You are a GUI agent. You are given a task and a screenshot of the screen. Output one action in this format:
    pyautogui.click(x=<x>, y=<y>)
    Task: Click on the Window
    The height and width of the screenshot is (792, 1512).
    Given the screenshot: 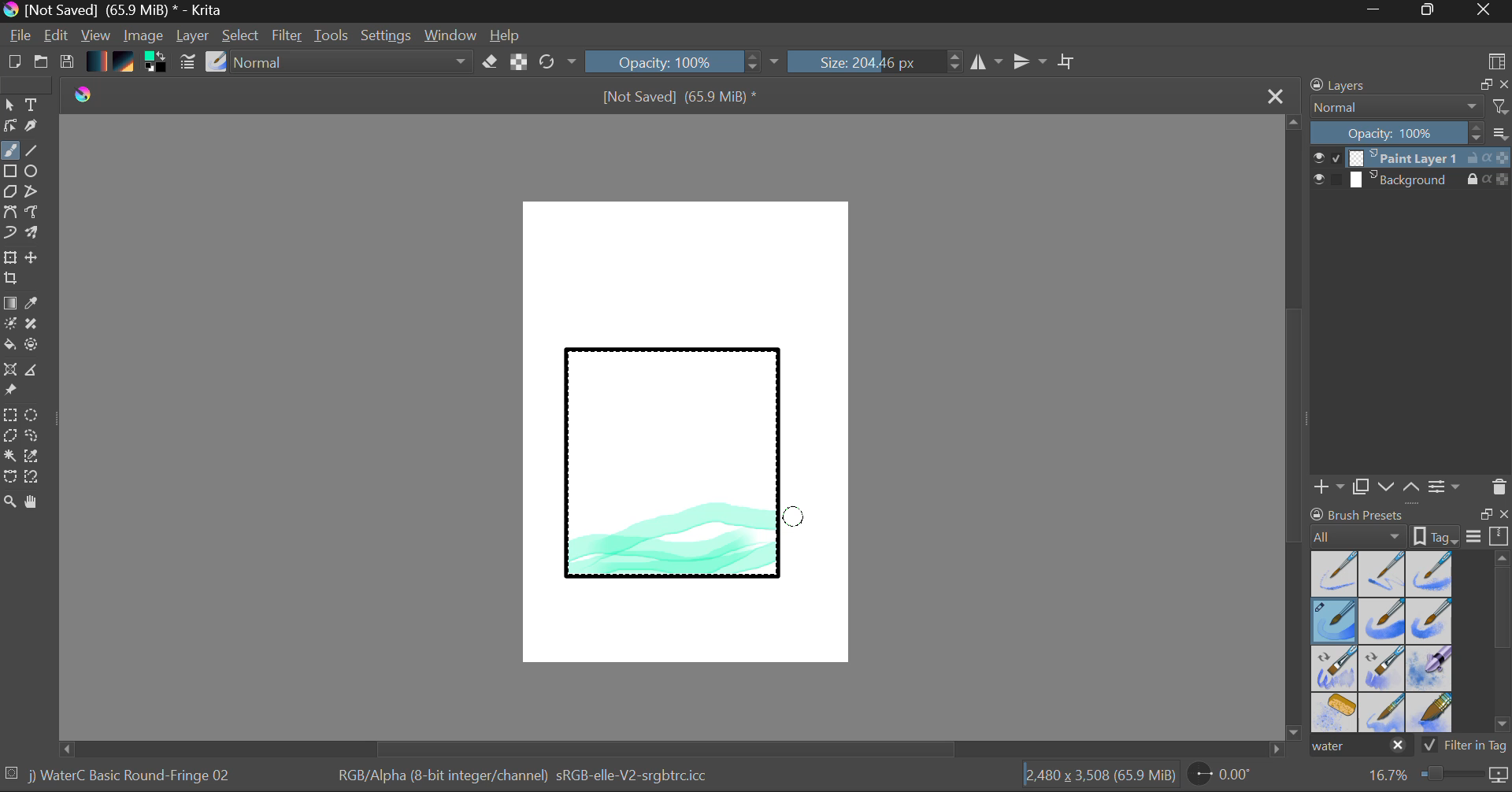 What is the action you would take?
    pyautogui.click(x=453, y=35)
    